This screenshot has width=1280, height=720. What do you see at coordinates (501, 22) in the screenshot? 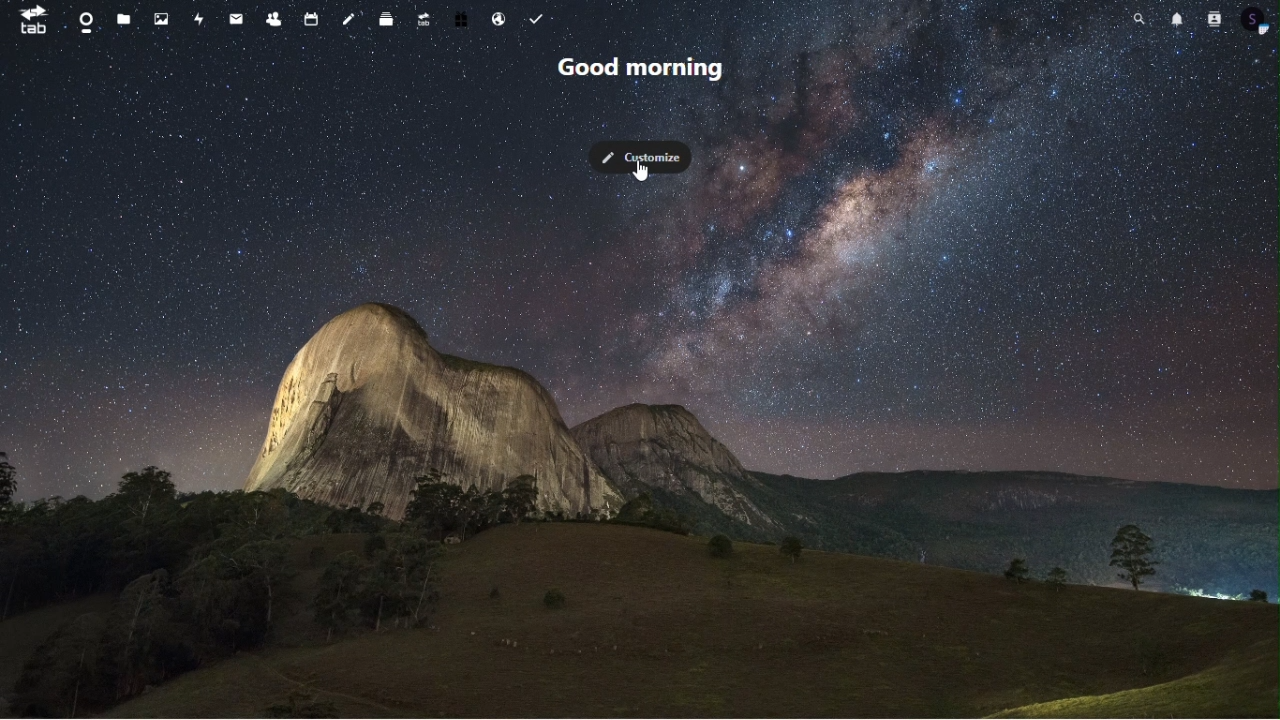
I see `email hosting` at bounding box center [501, 22].